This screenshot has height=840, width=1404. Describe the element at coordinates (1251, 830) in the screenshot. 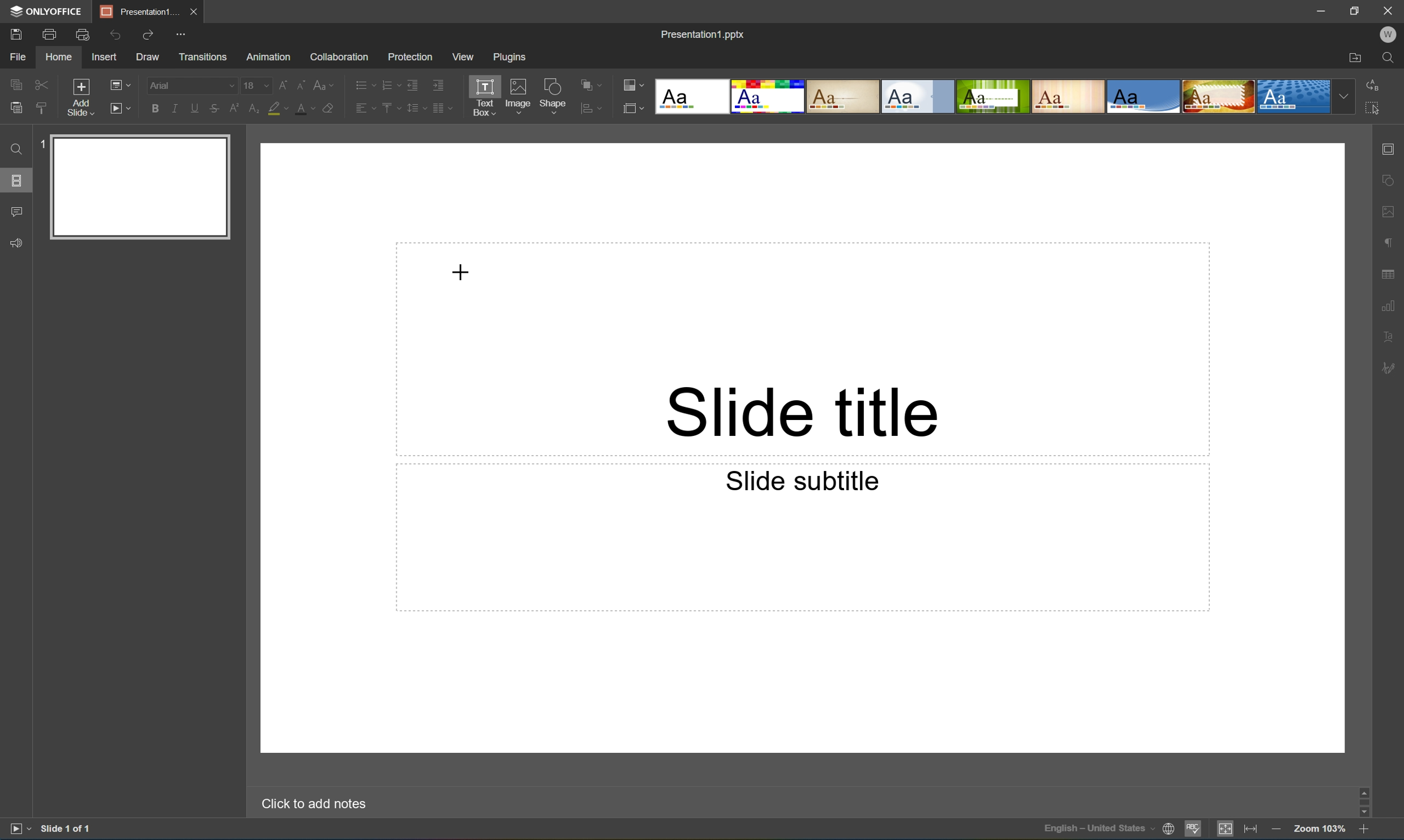

I see `Fit to width` at that location.